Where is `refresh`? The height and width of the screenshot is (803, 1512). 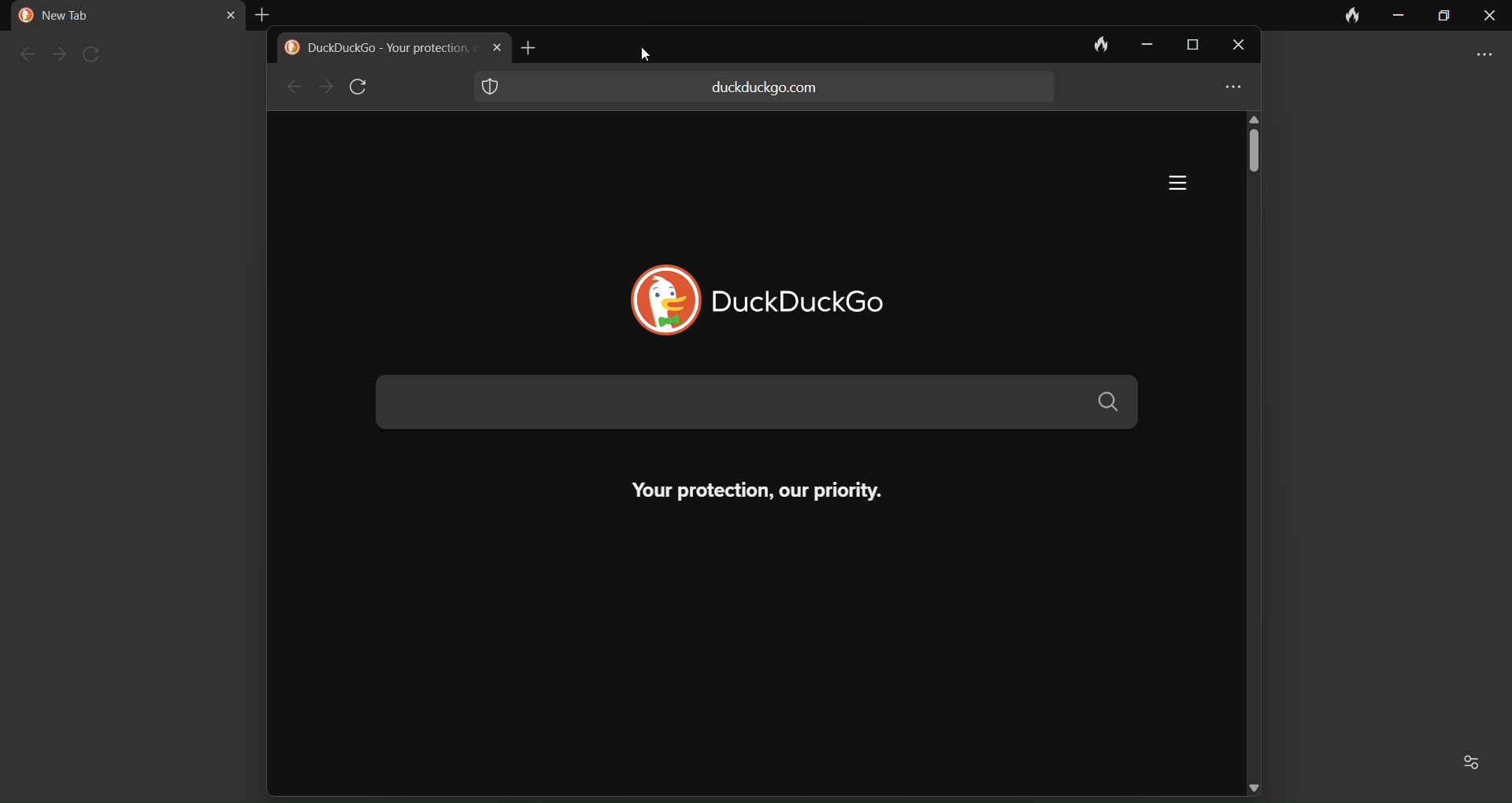
refresh is located at coordinates (363, 87).